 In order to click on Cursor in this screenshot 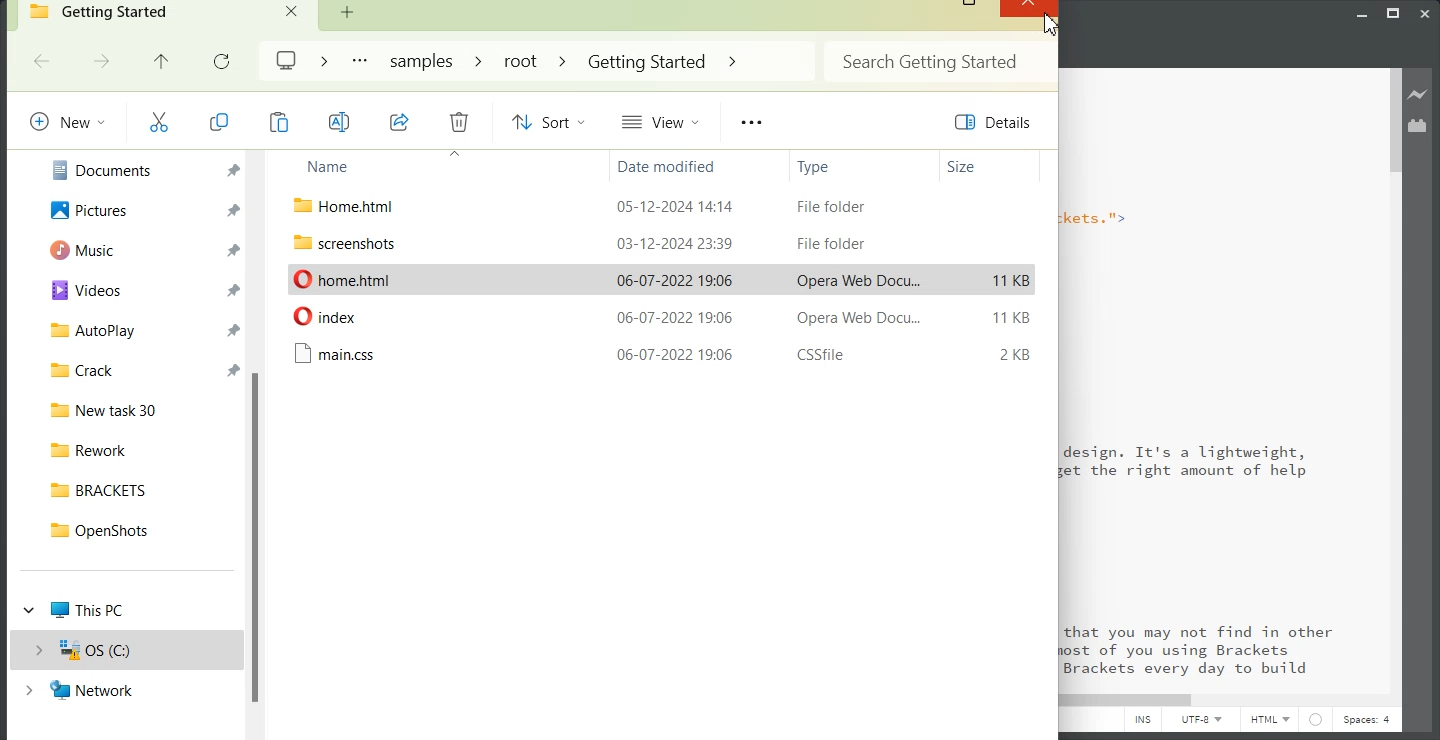, I will do `click(1048, 24)`.